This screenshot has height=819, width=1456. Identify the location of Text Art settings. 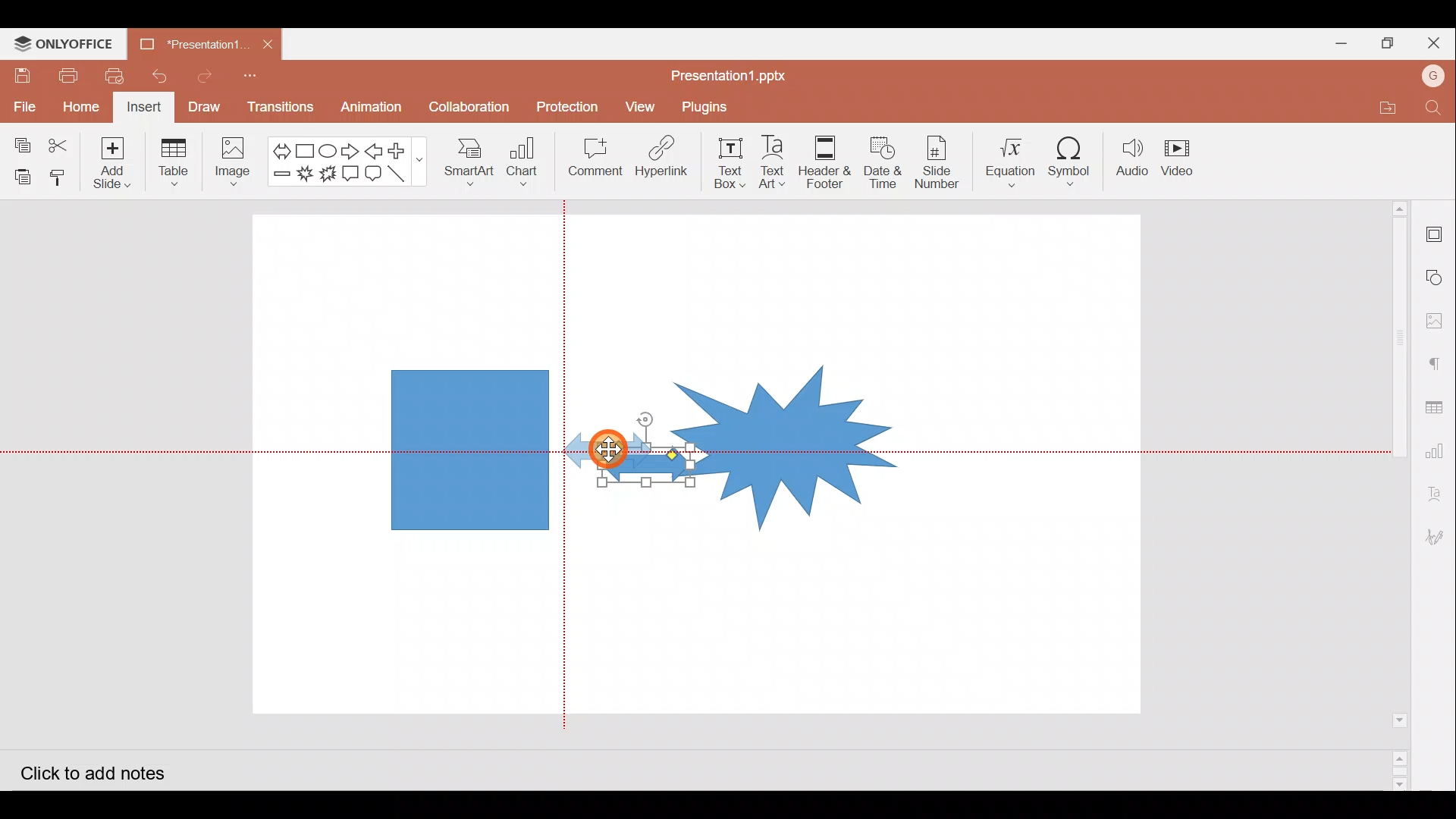
(1439, 488).